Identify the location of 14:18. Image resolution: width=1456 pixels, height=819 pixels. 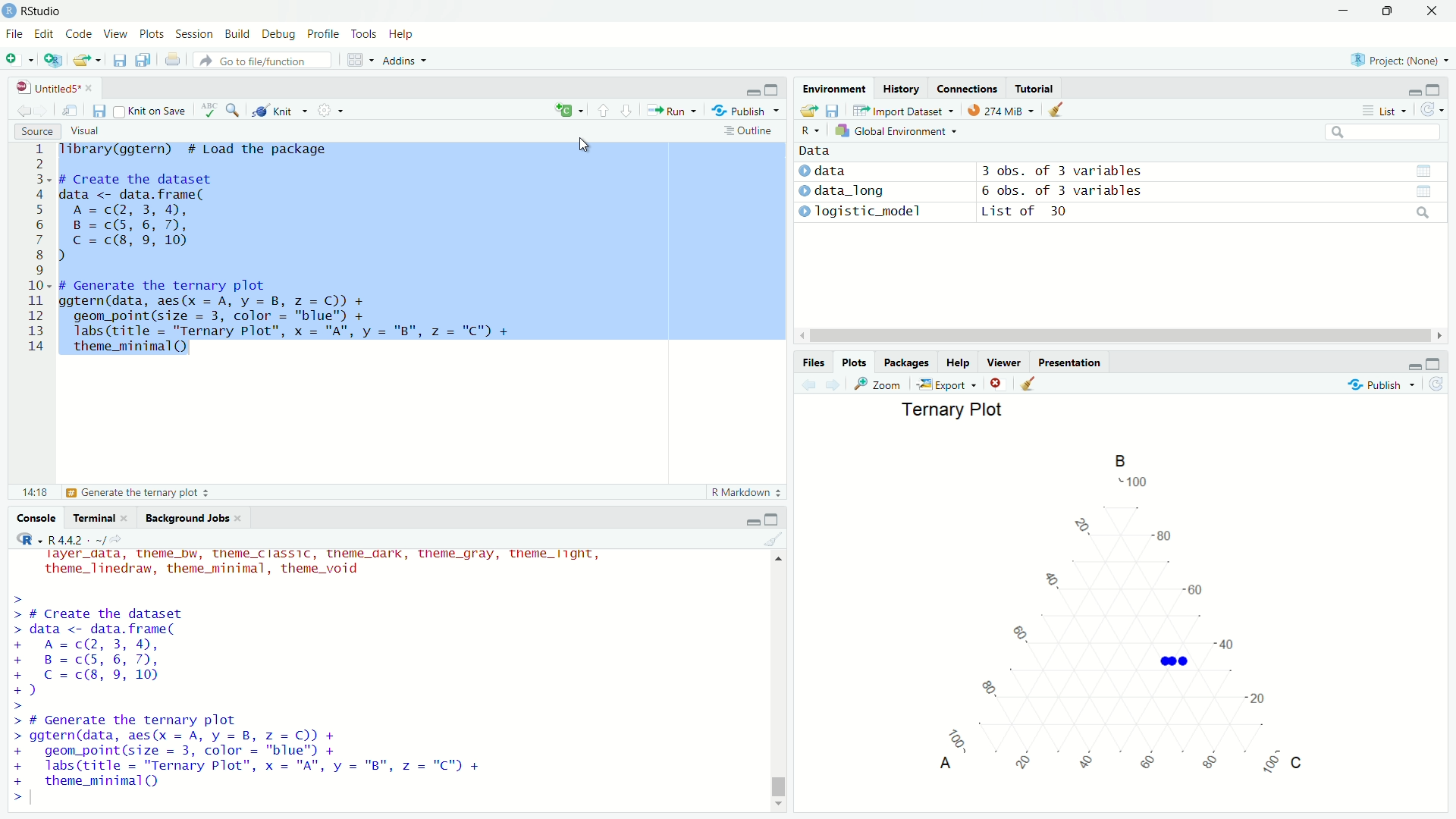
(33, 491).